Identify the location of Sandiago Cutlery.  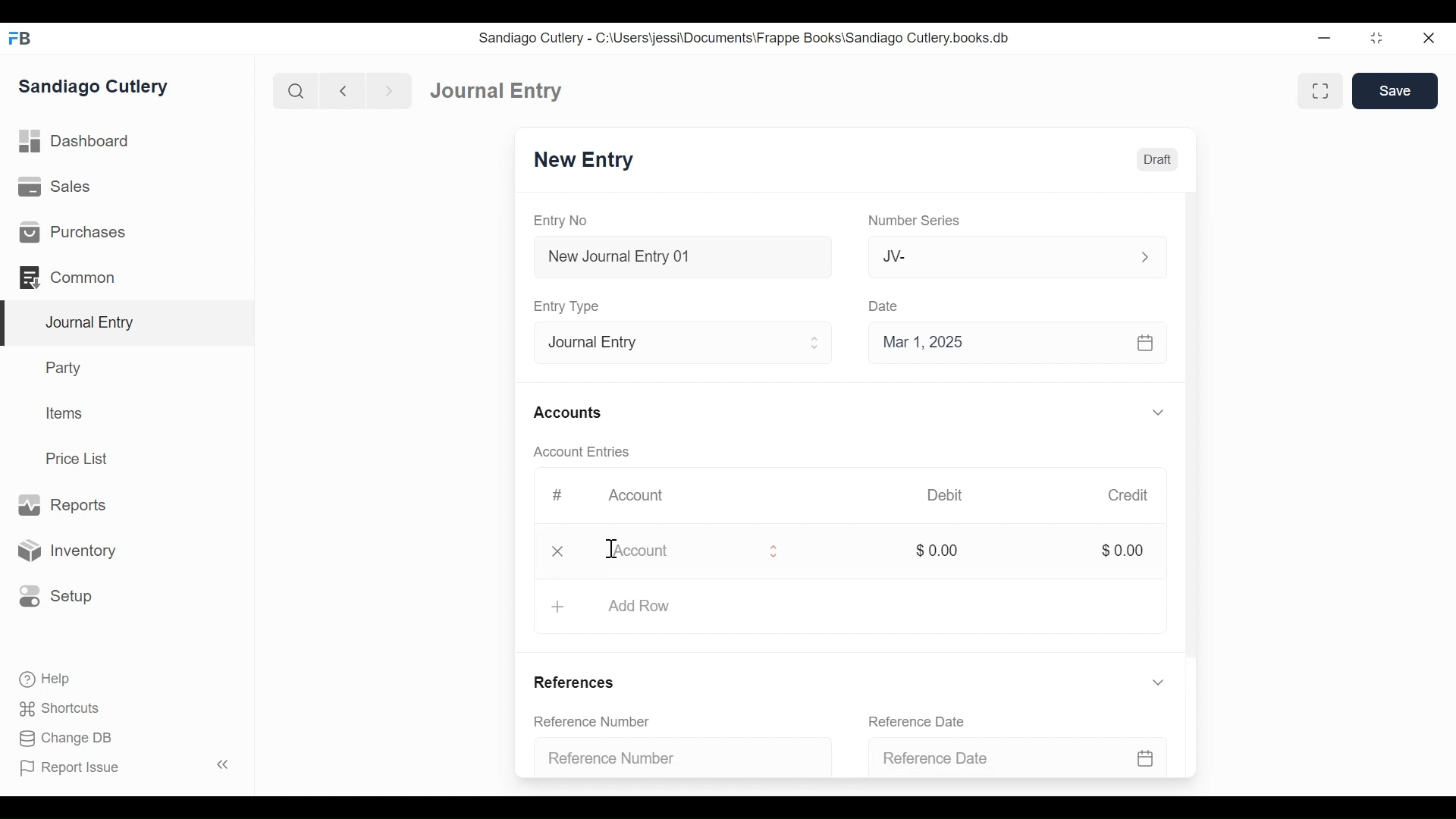
(102, 88).